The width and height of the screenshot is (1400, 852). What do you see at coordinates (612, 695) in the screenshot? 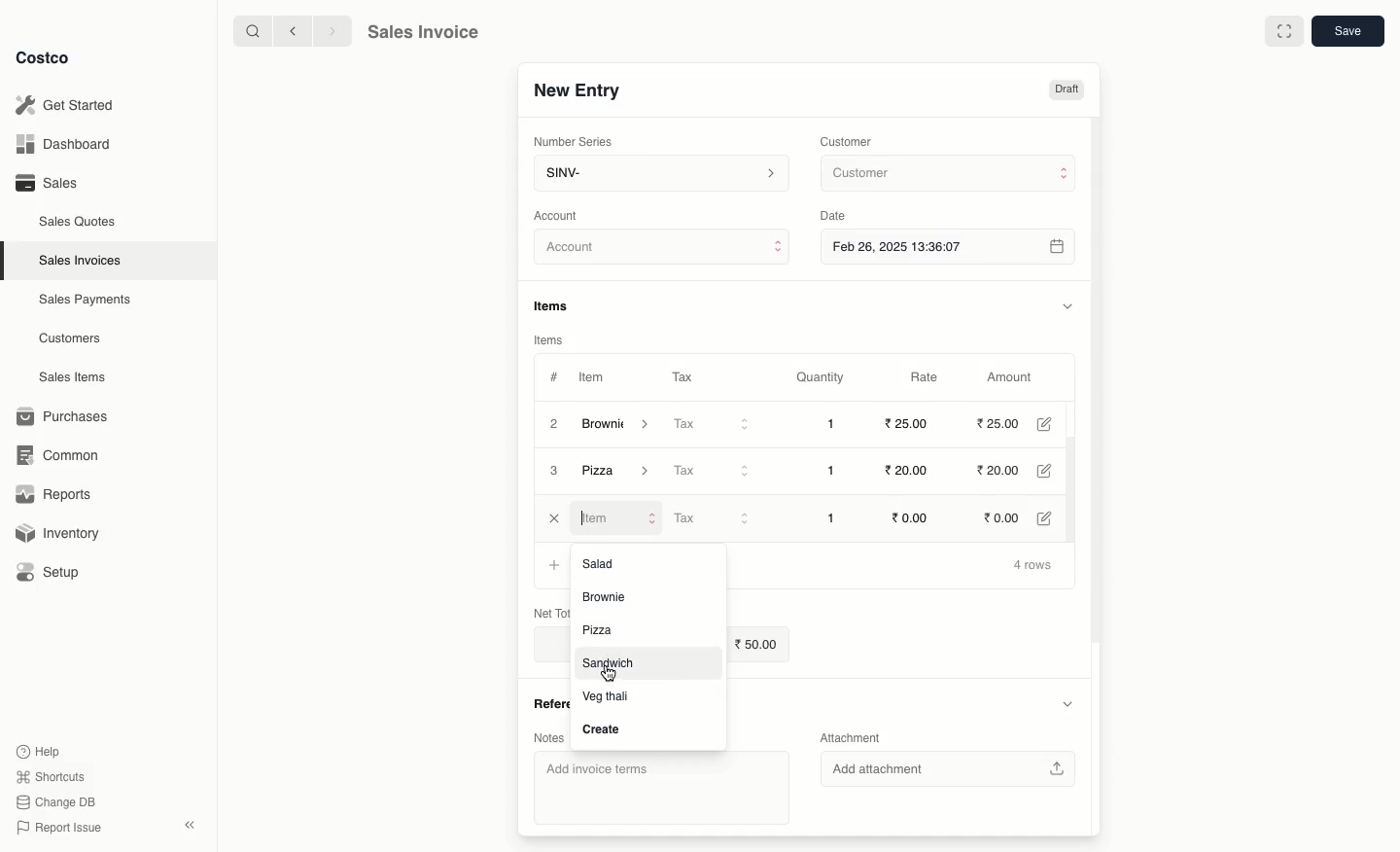
I see `Veg thall` at bounding box center [612, 695].